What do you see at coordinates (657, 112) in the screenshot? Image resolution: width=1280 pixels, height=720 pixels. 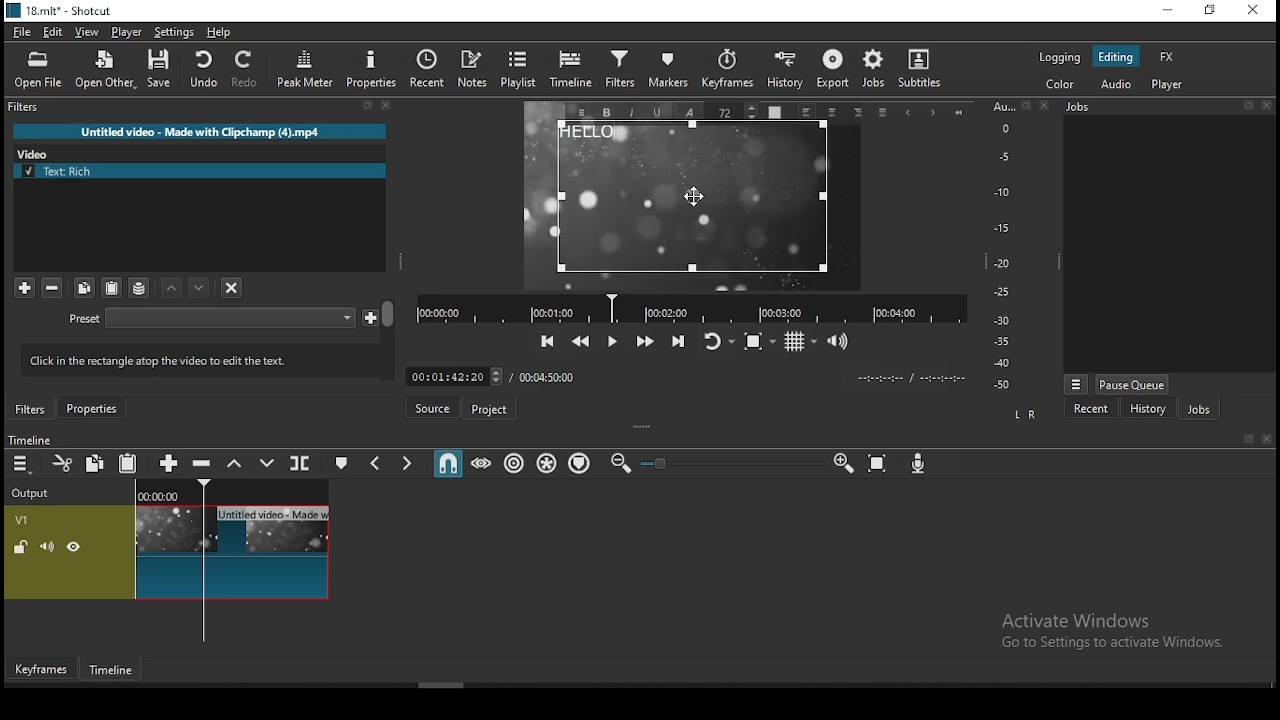 I see `Underline` at bounding box center [657, 112].